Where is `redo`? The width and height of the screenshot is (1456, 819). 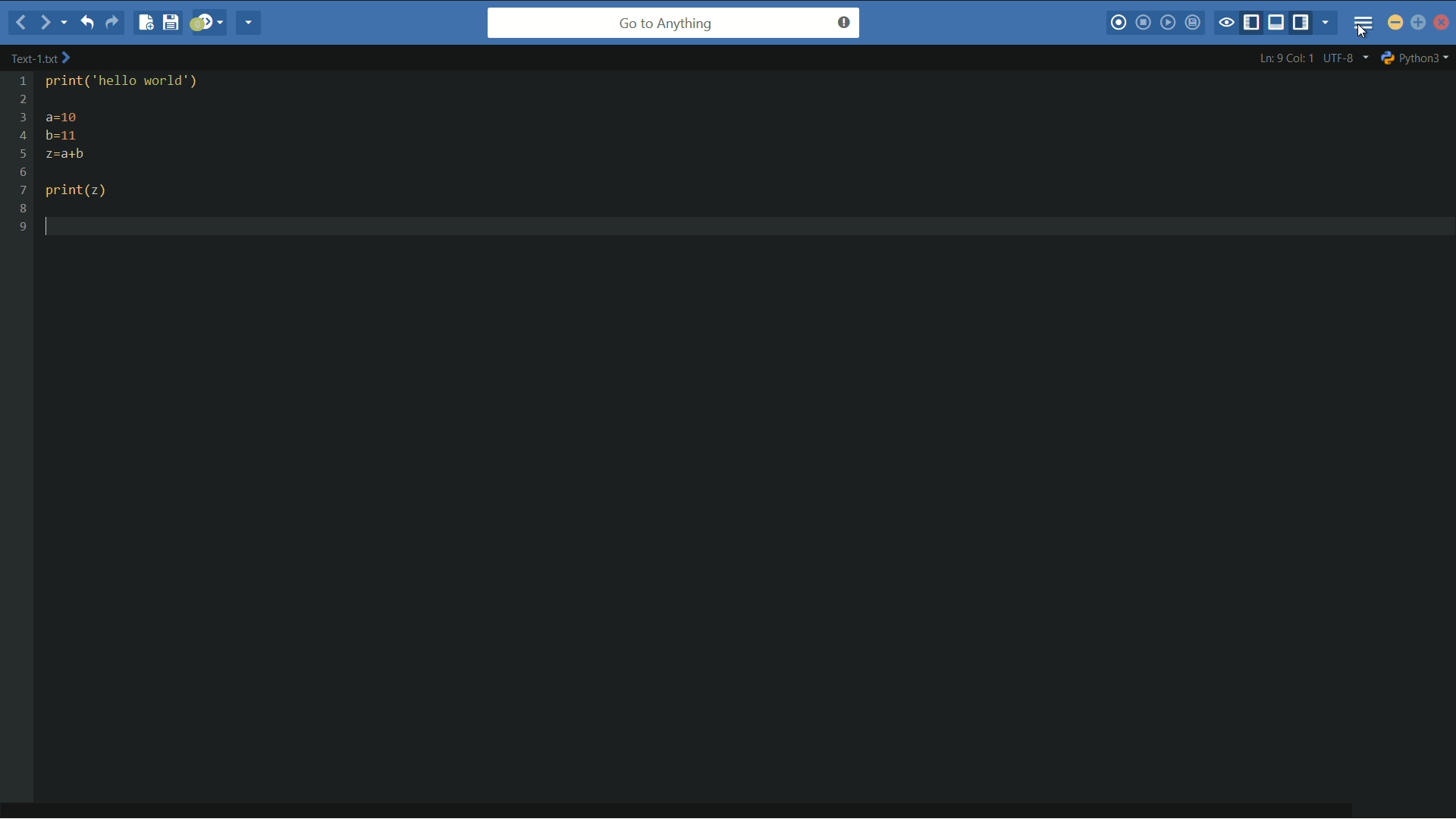
redo is located at coordinates (114, 23).